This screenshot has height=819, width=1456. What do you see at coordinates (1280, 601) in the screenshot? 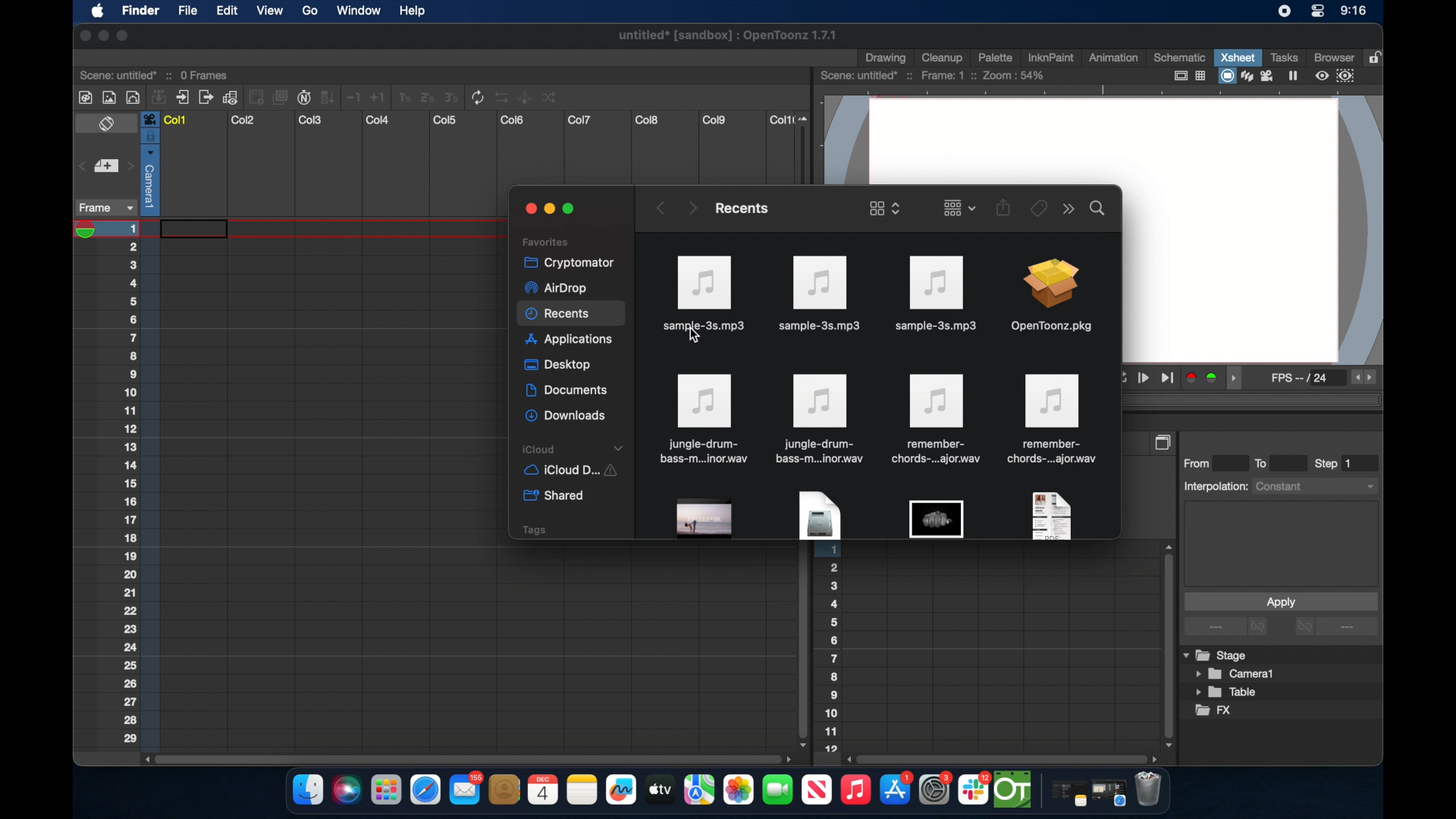
I see `apply` at bounding box center [1280, 601].